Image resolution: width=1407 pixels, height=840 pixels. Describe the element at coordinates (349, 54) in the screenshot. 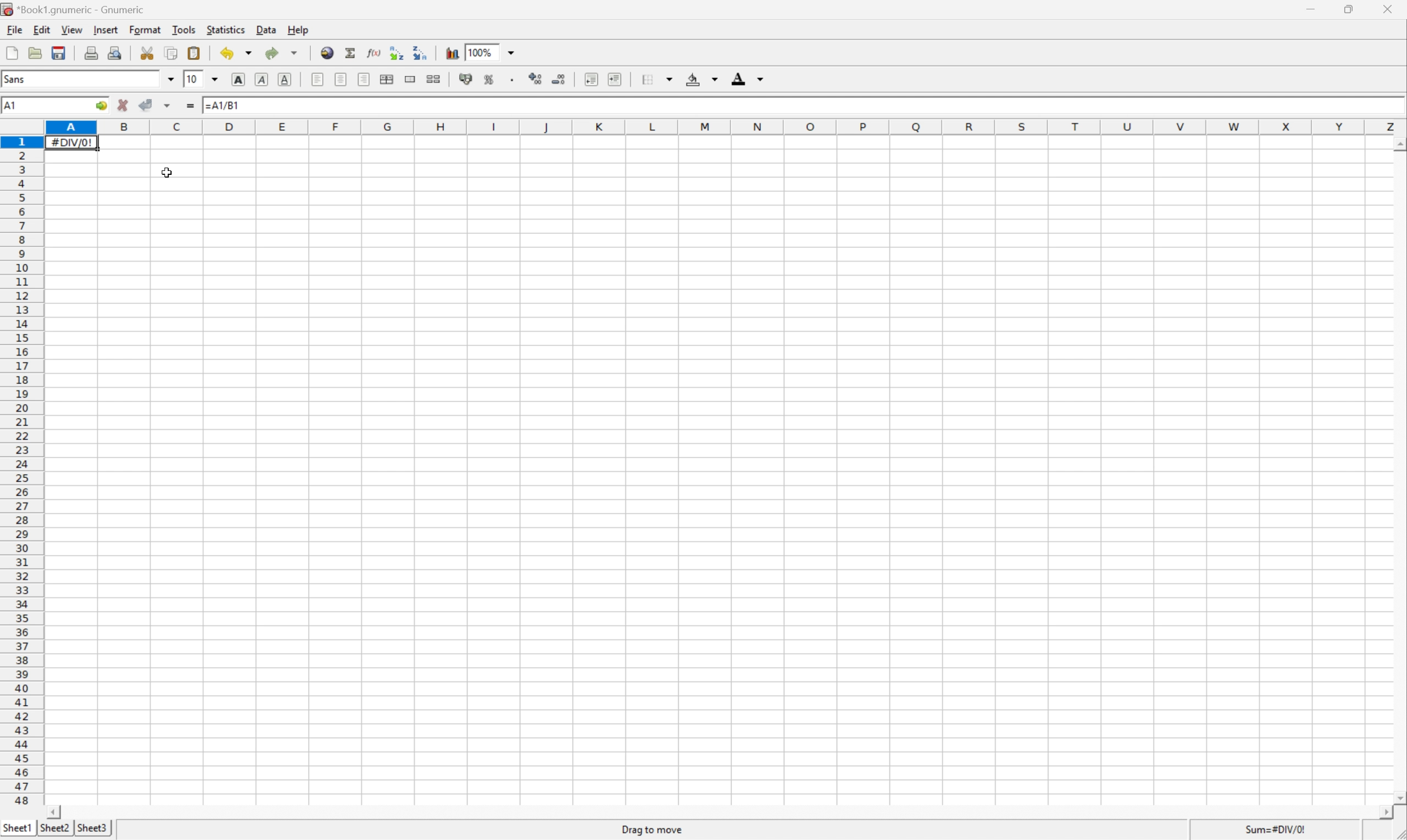

I see `Sum into the current cell` at that location.